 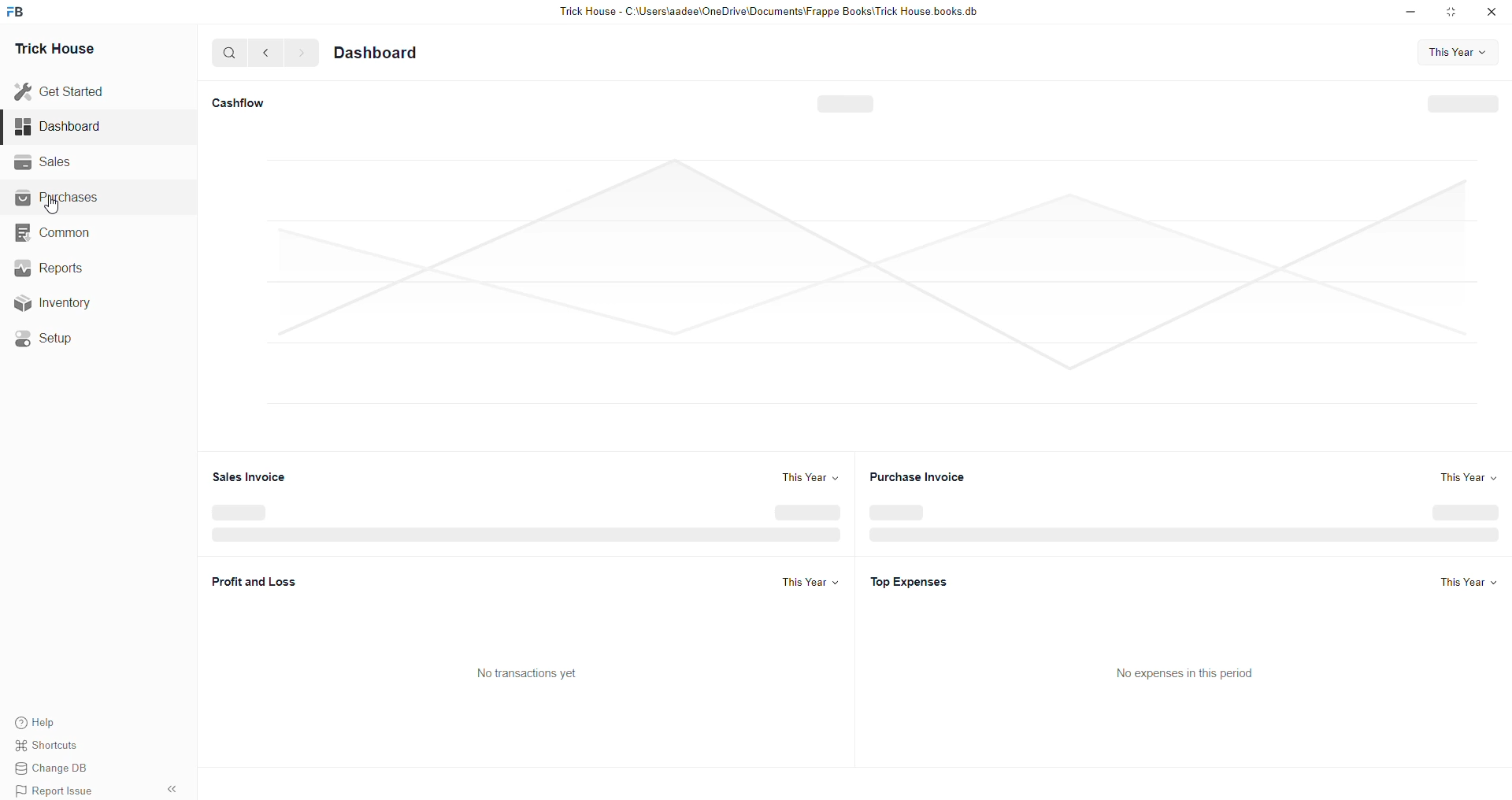 I want to click on Cashflow, so click(x=235, y=101).